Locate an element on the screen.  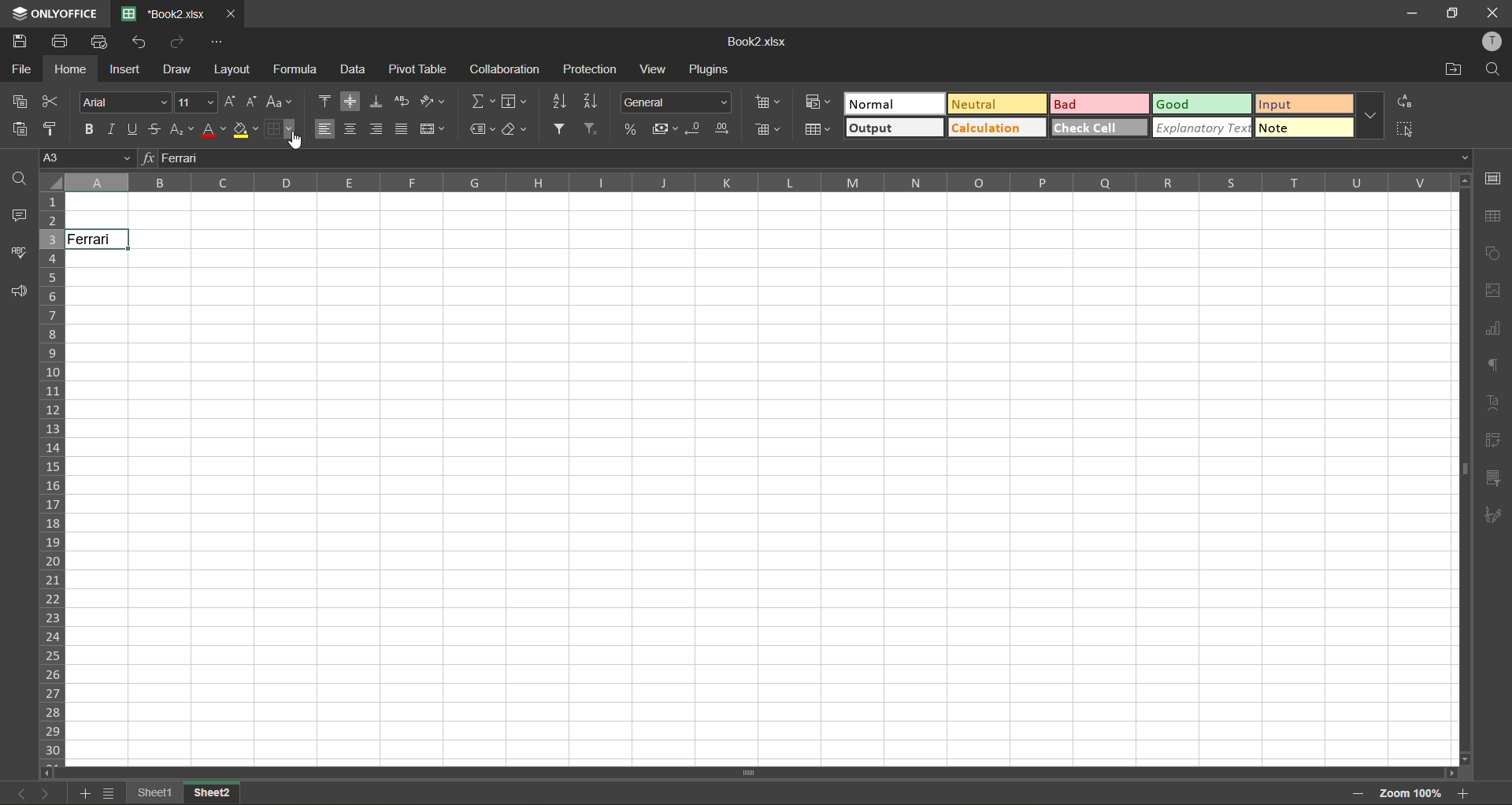
slicer is located at coordinates (1497, 477).